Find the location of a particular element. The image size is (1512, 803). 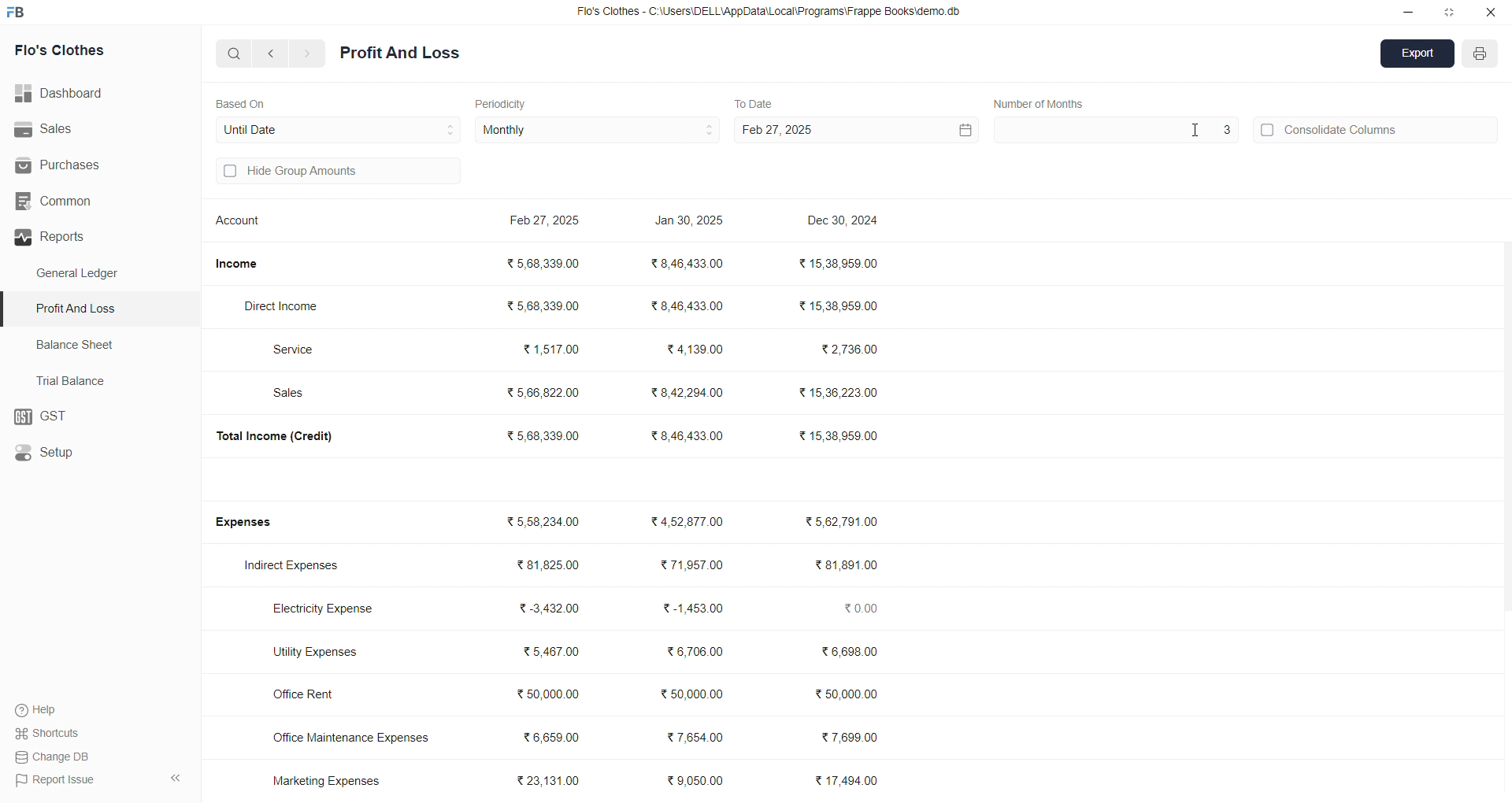

Utility Expenses. is located at coordinates (324, 651).